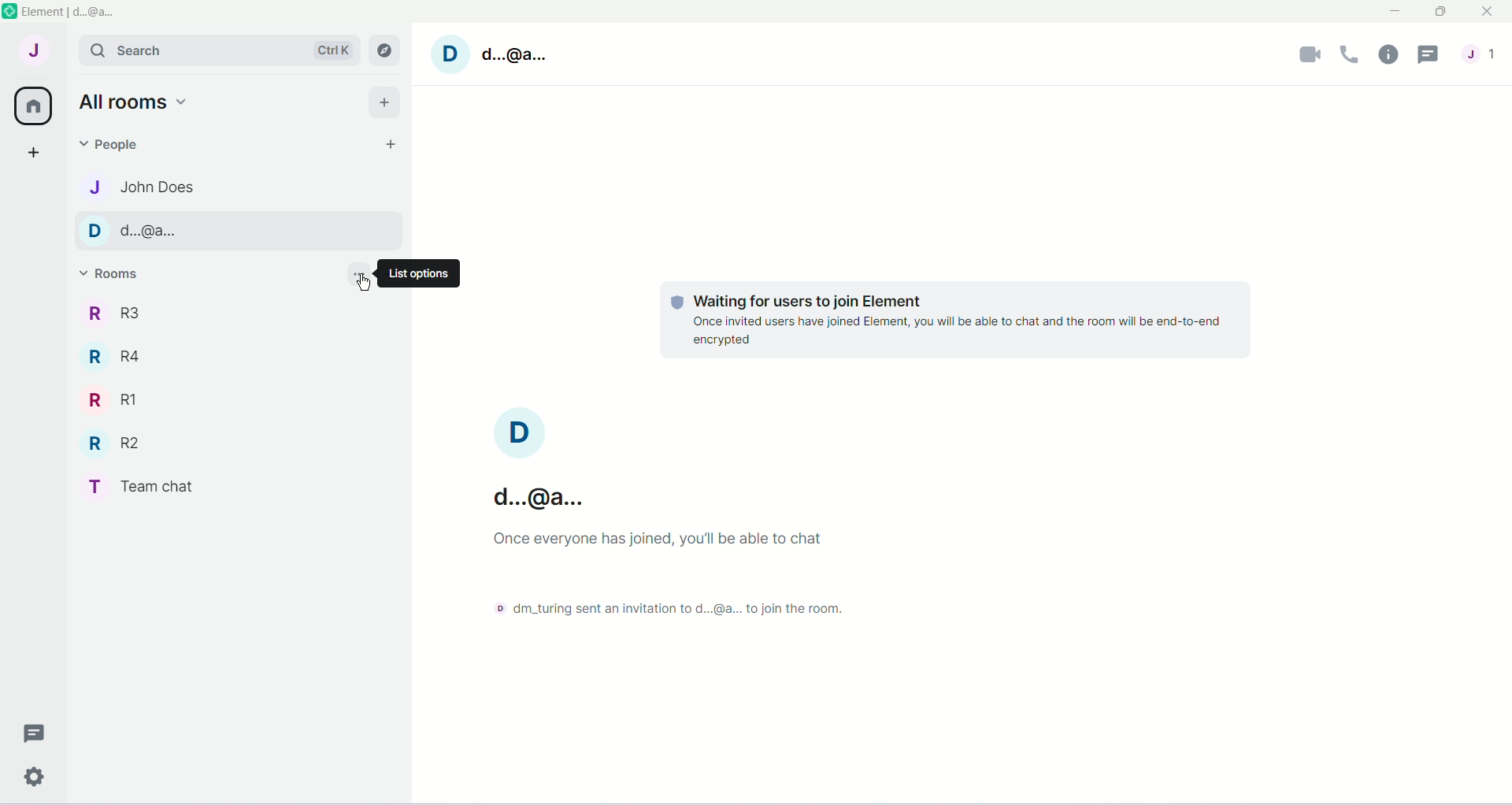 The width and height of the screenshot is (1512, 805). I want to click on cursor, so click(363, 287).